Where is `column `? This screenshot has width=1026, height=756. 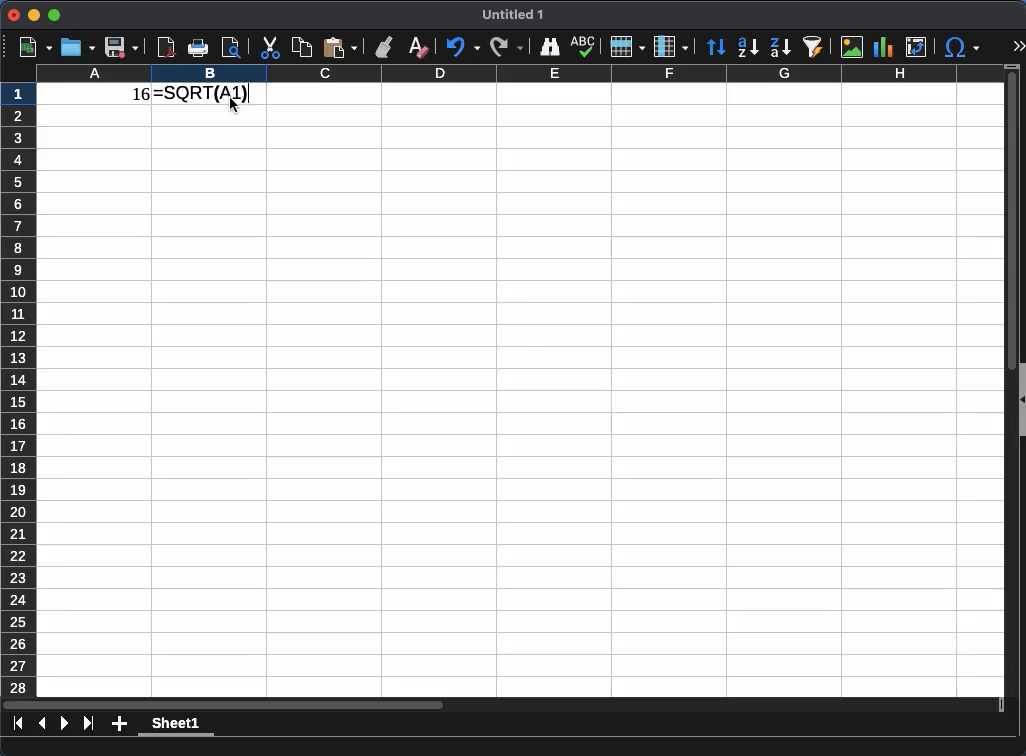
column  is located at coordinates (671, 46).